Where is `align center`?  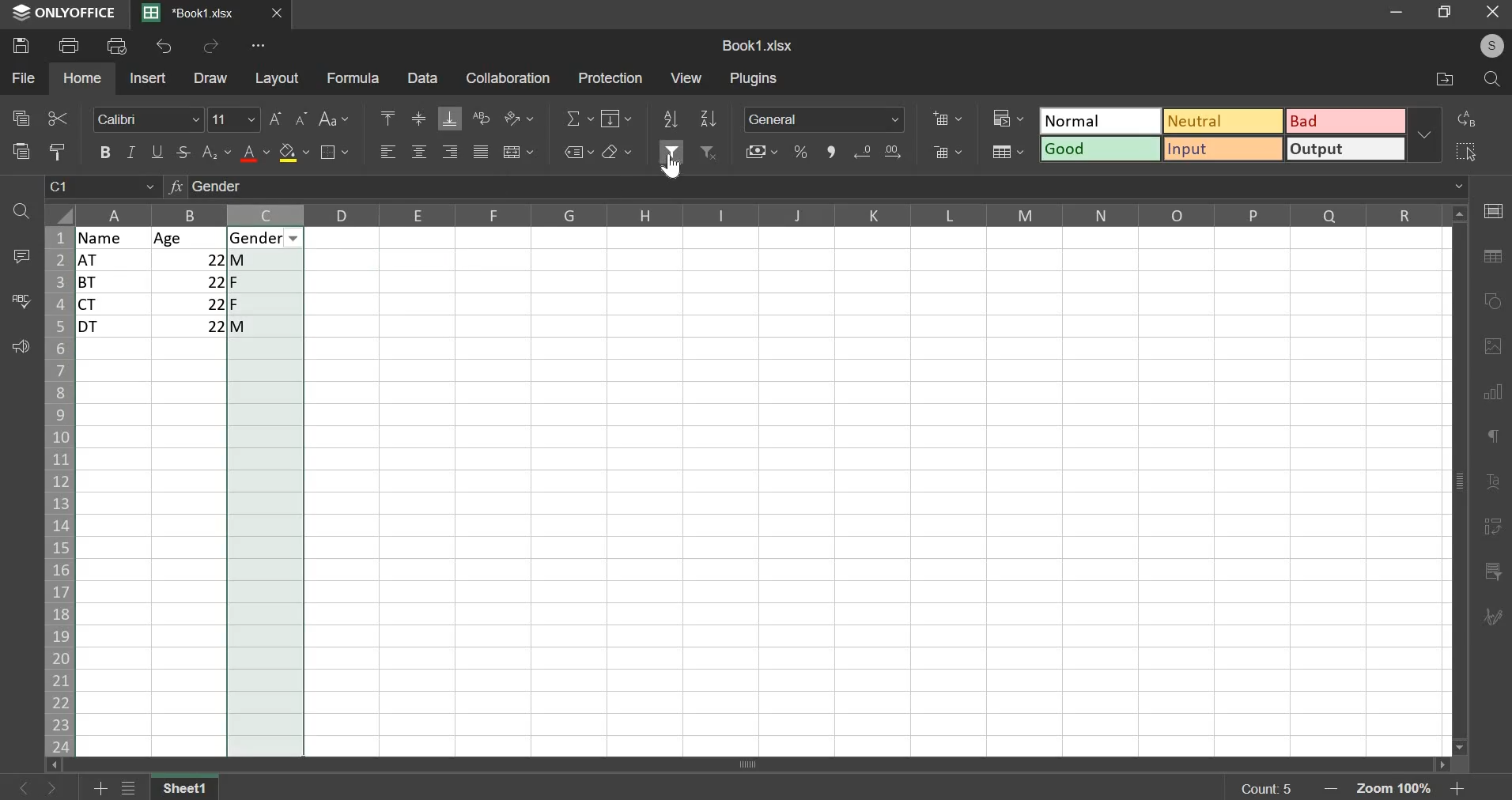
align center is located at coordinates (419, 152).